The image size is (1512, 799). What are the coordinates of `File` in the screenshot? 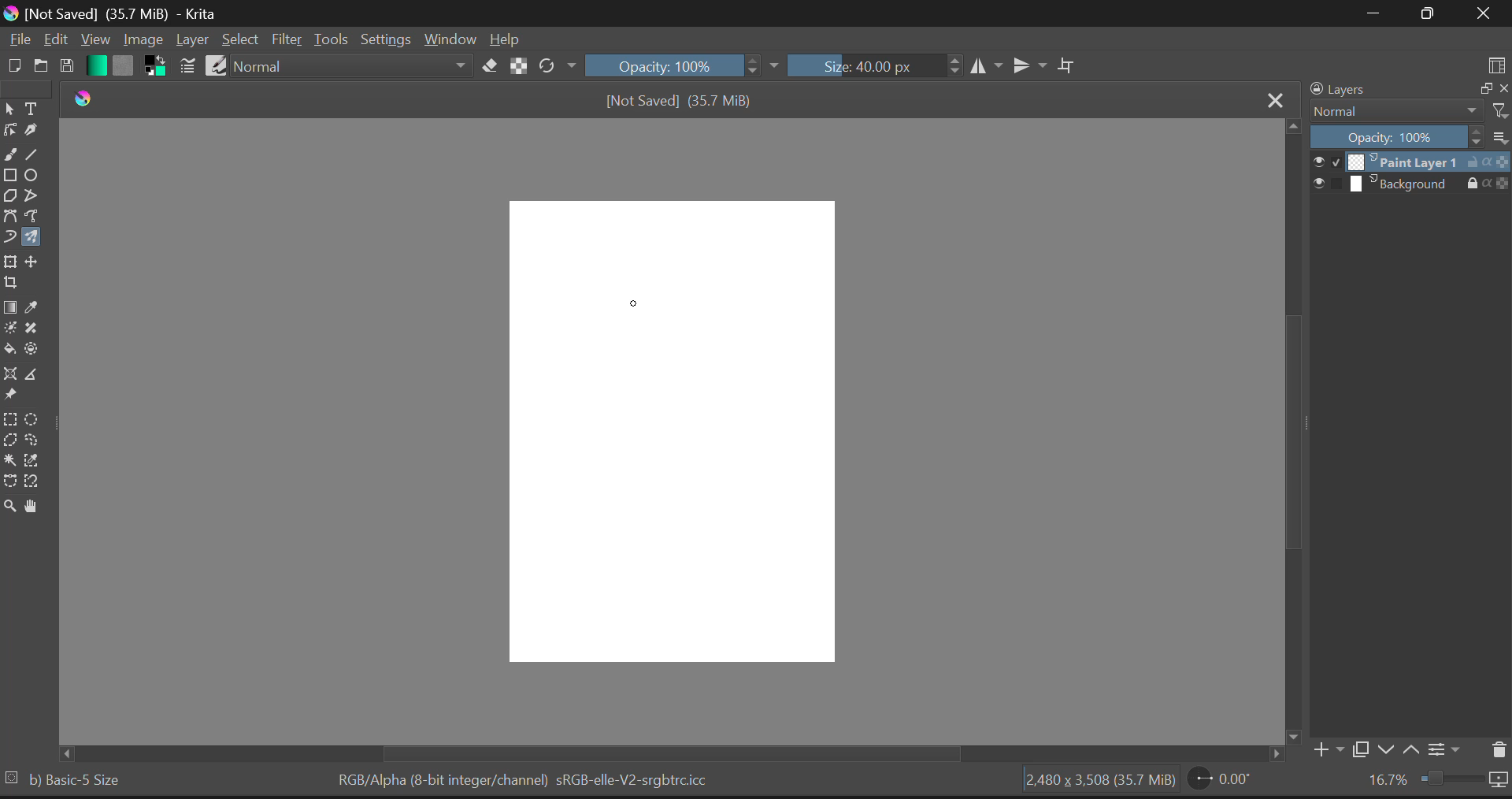 It's located at (18, 42).